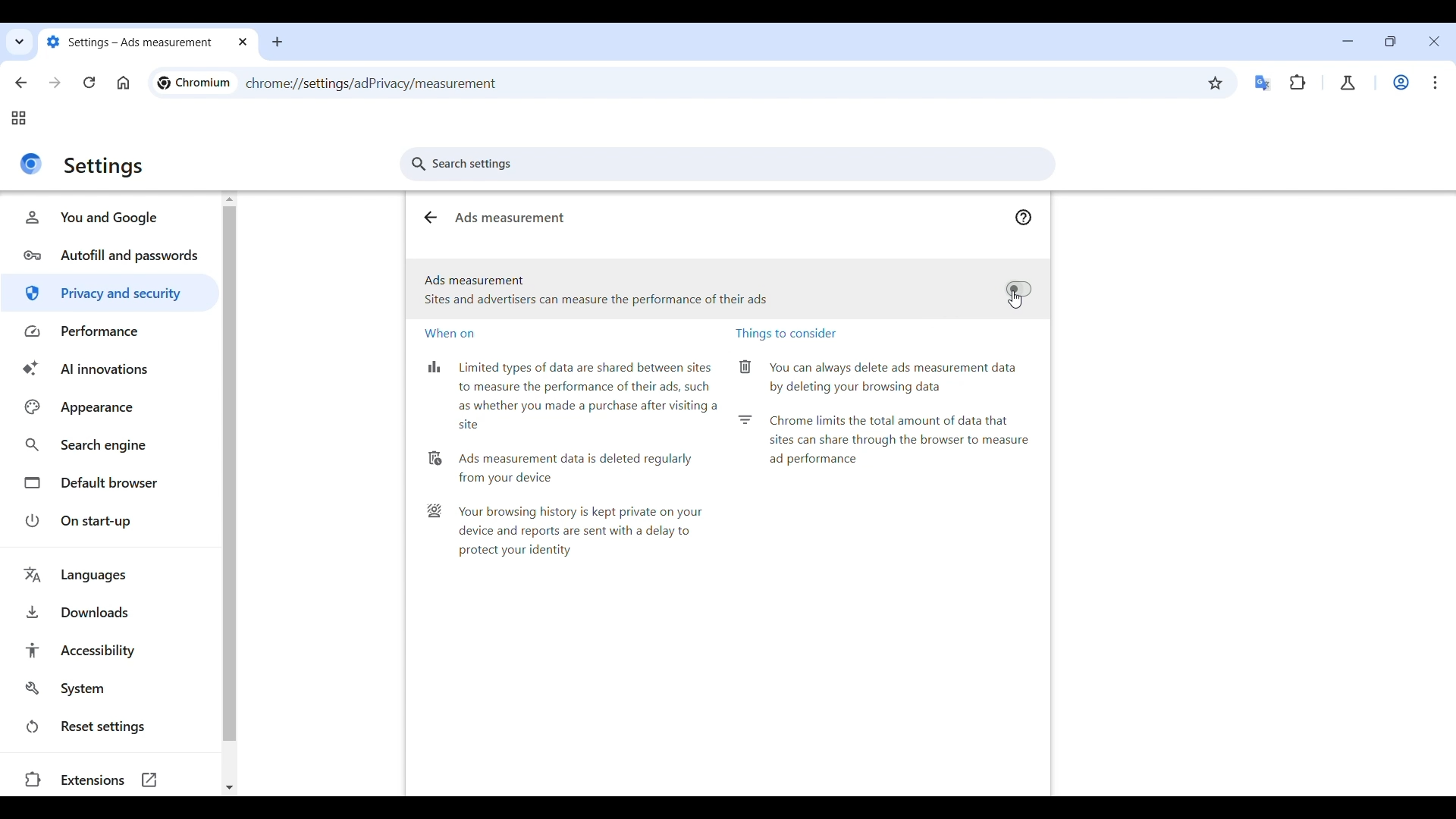  Describe the element at coordinates (31, 164) in the screenshot. I see `Logo of current site` at that location.